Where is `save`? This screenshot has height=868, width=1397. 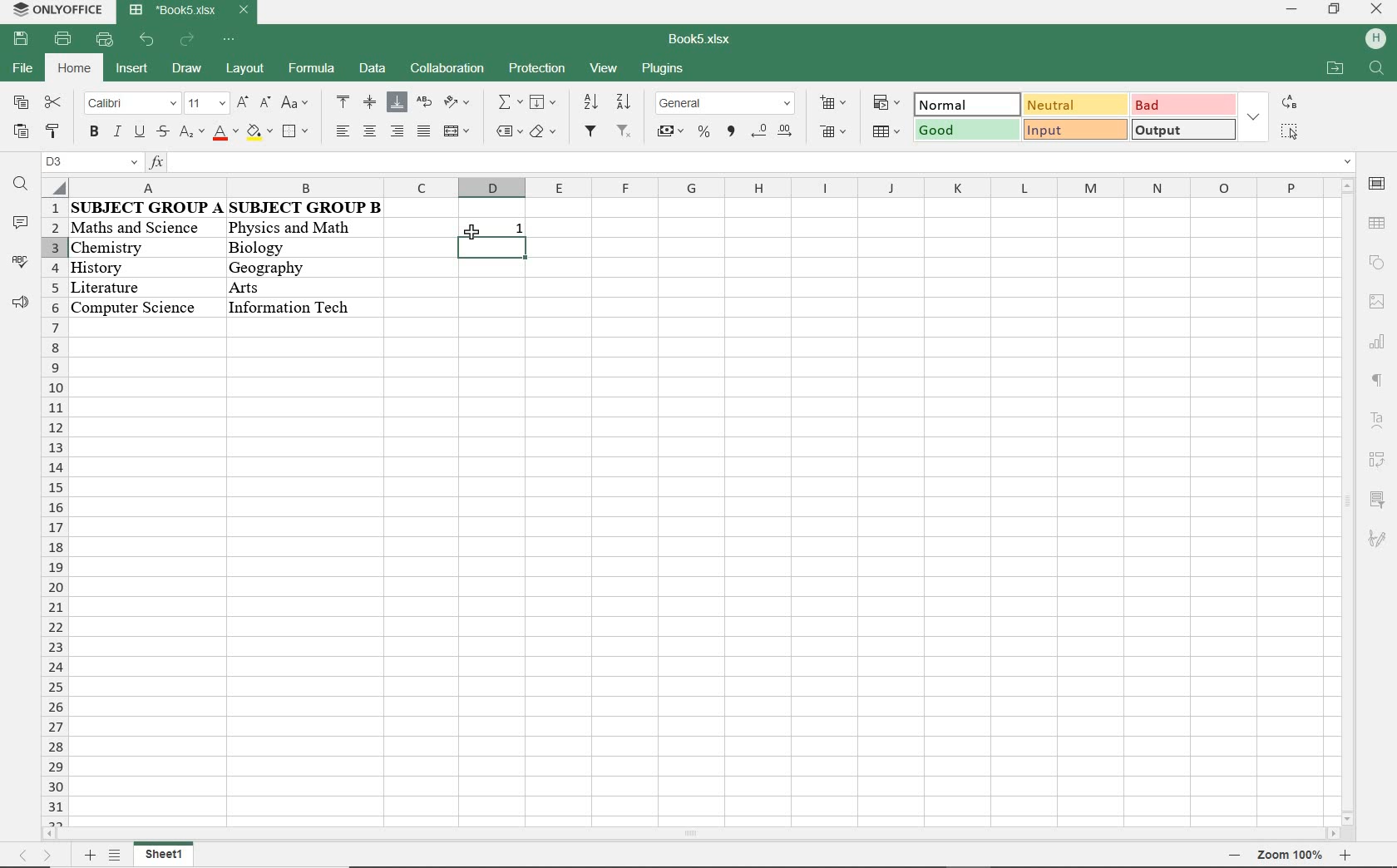 save is located at coordinates (21, 40).